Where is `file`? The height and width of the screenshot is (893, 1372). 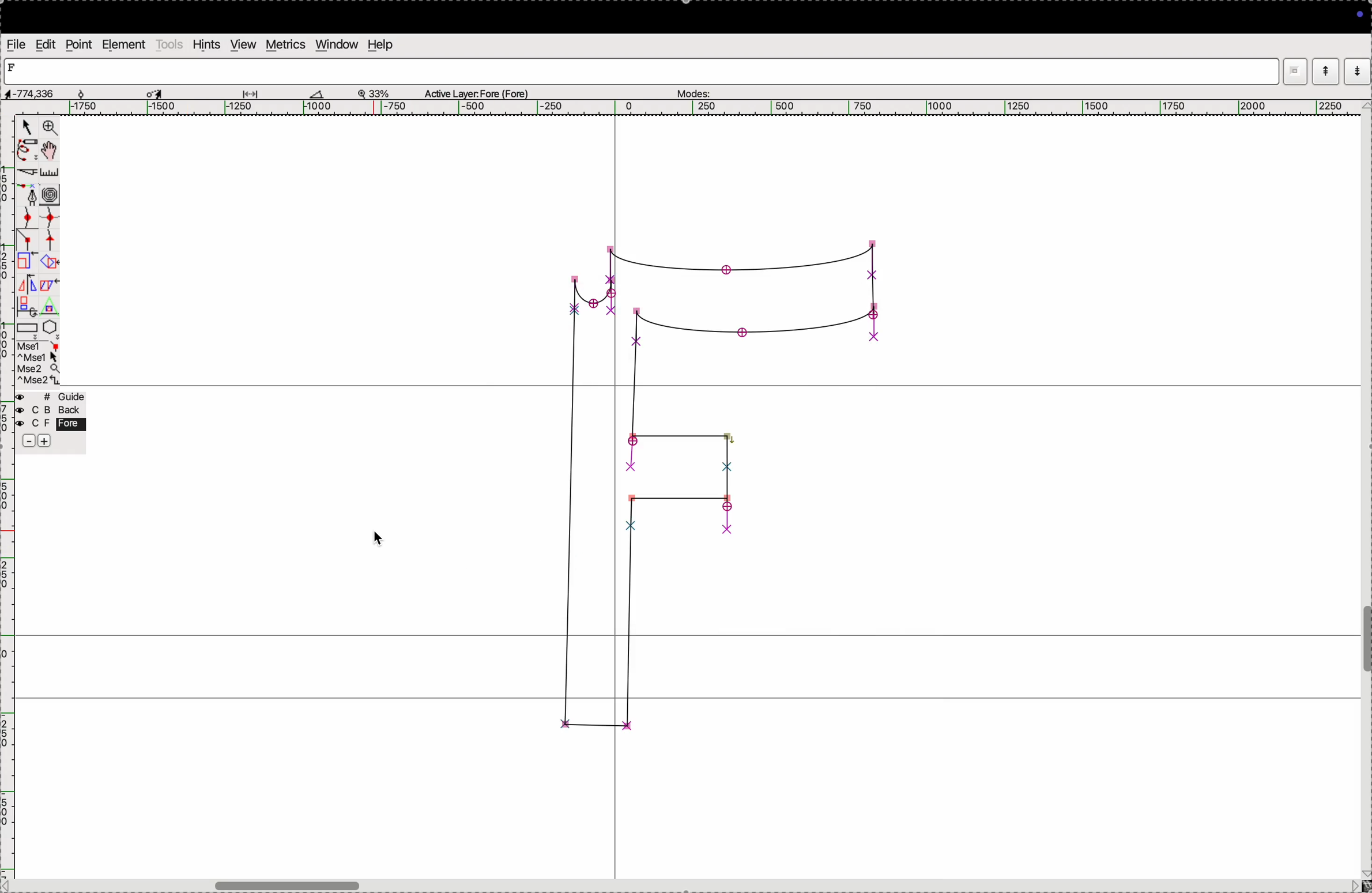 file is located at coordinates (17, 44).